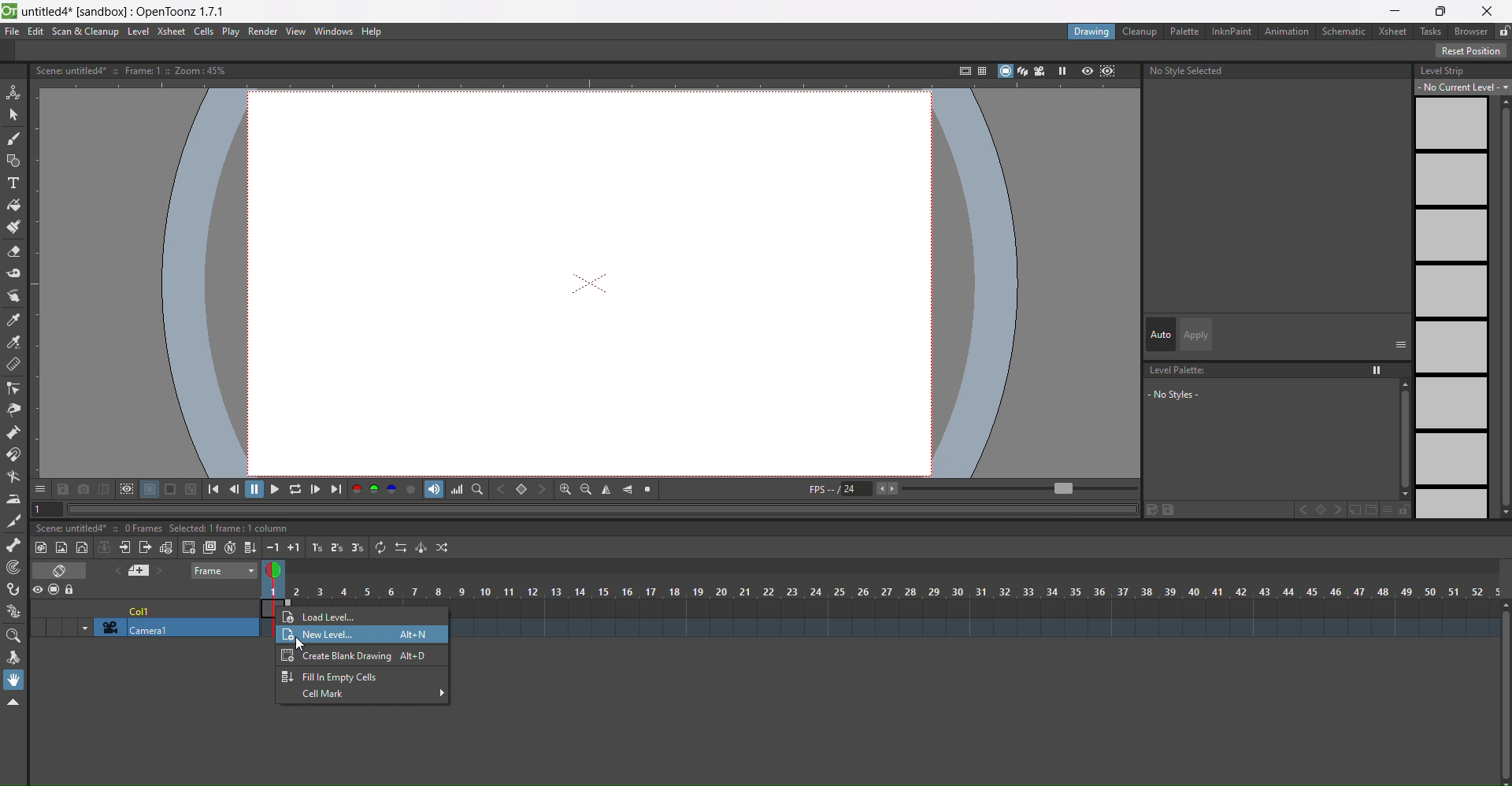  Describe the element at coordinates (1087, 72) in the screenshot. I see `preview` at that location.